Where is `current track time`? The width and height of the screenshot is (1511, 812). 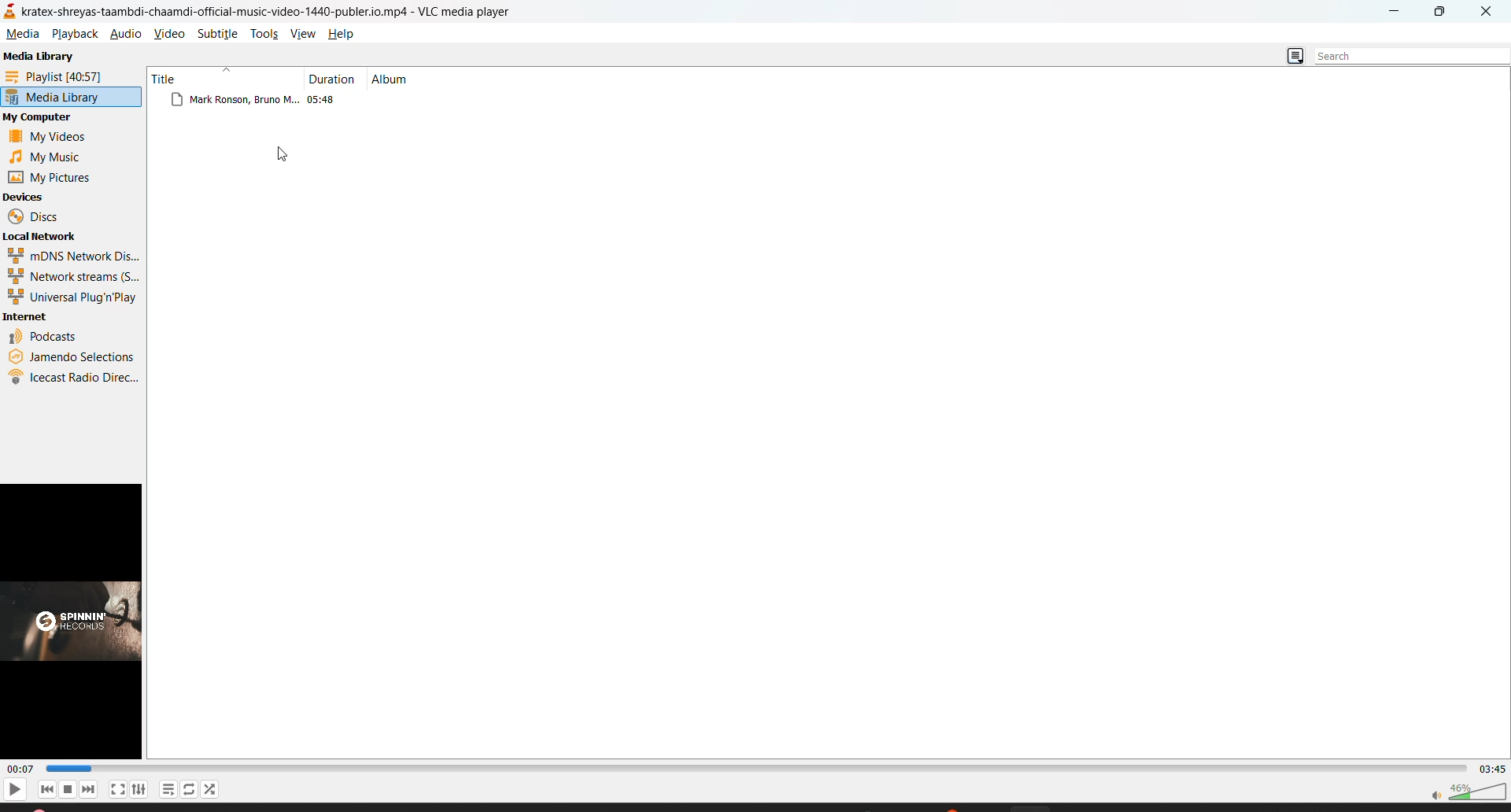
current track time is located at coordinates (24, 770).